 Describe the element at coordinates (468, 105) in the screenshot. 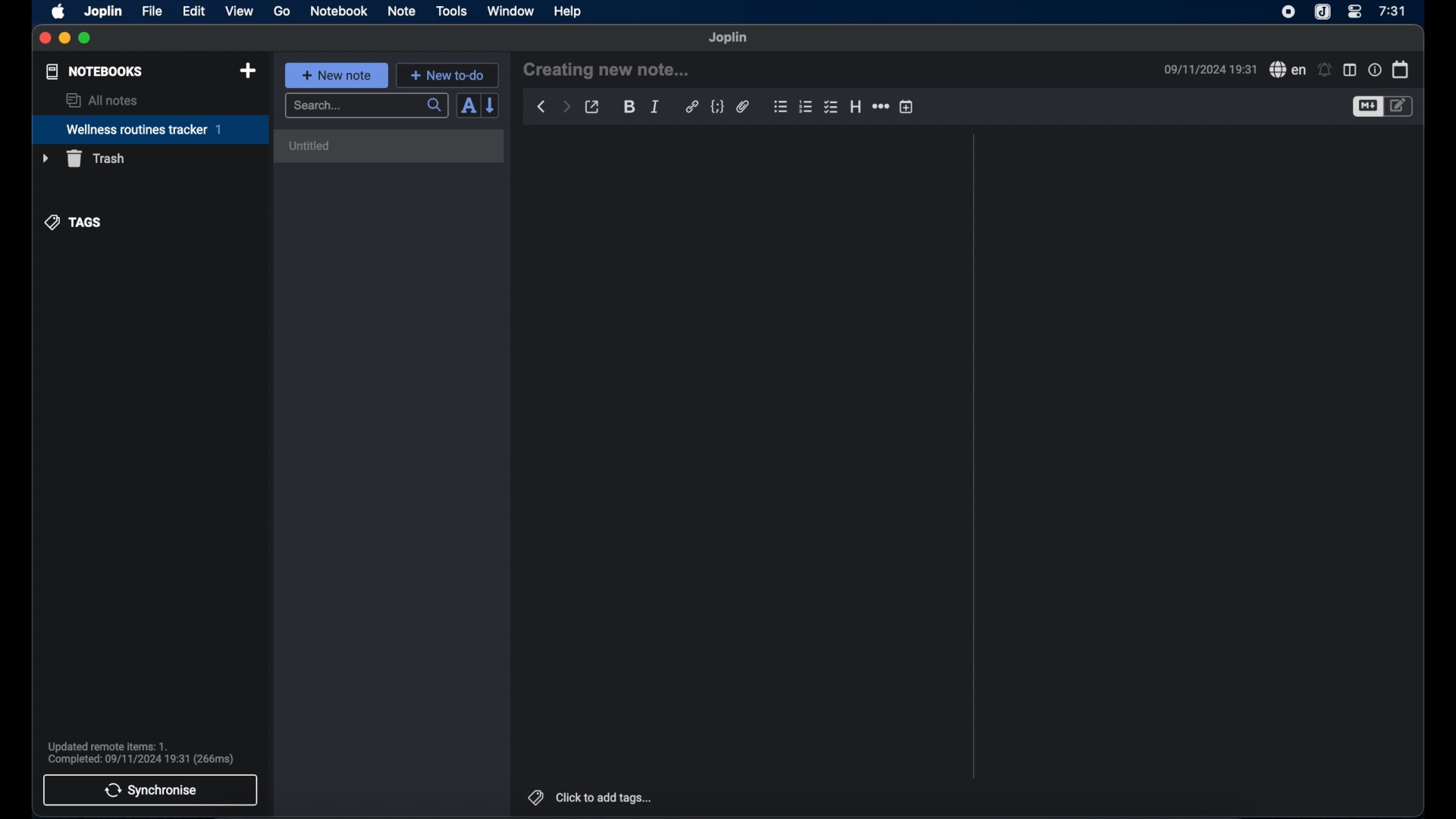

I see `toggle sort order field` at that location.